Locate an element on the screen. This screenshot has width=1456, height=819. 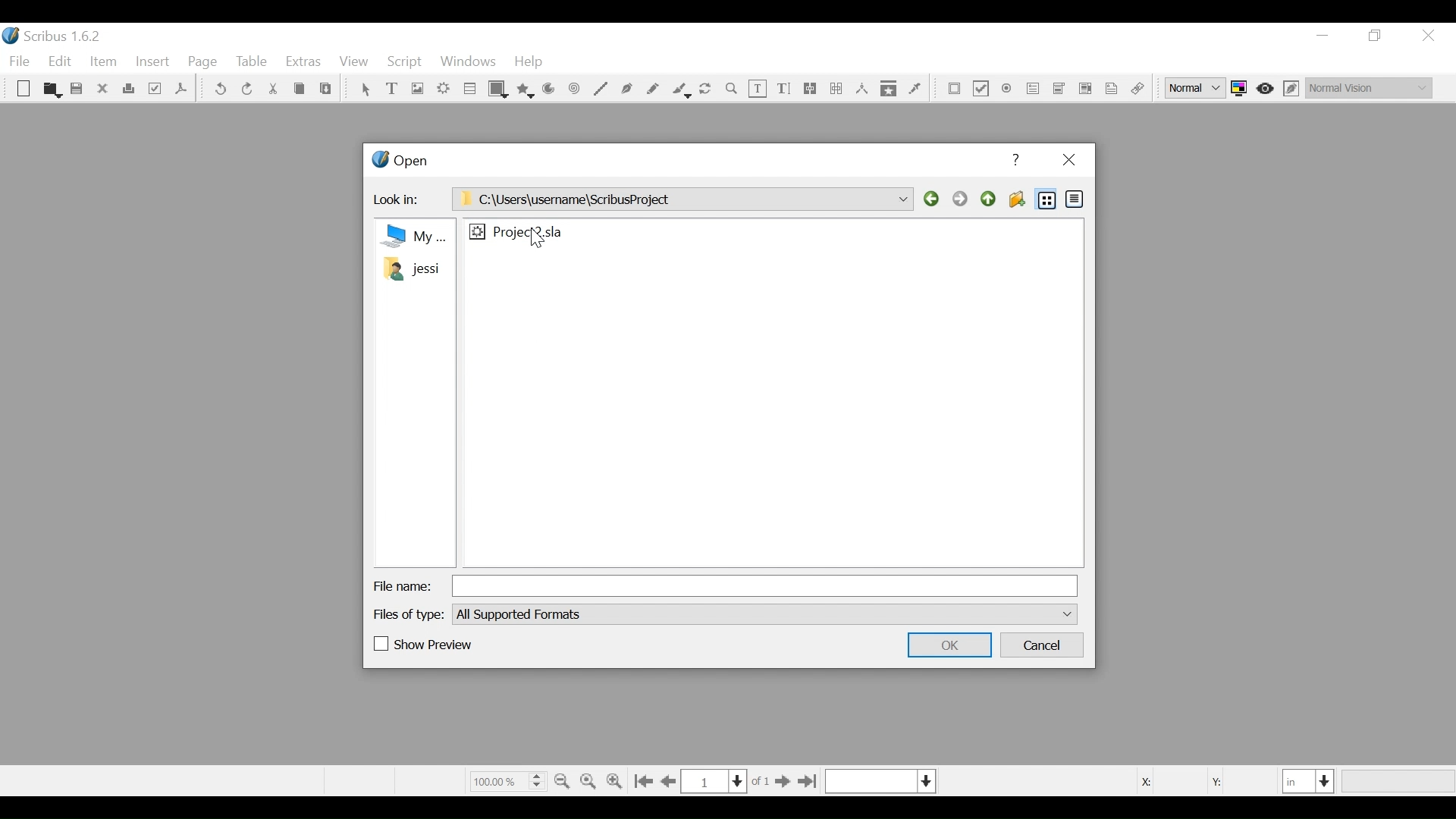
Select is located at coordinates (365, 90).